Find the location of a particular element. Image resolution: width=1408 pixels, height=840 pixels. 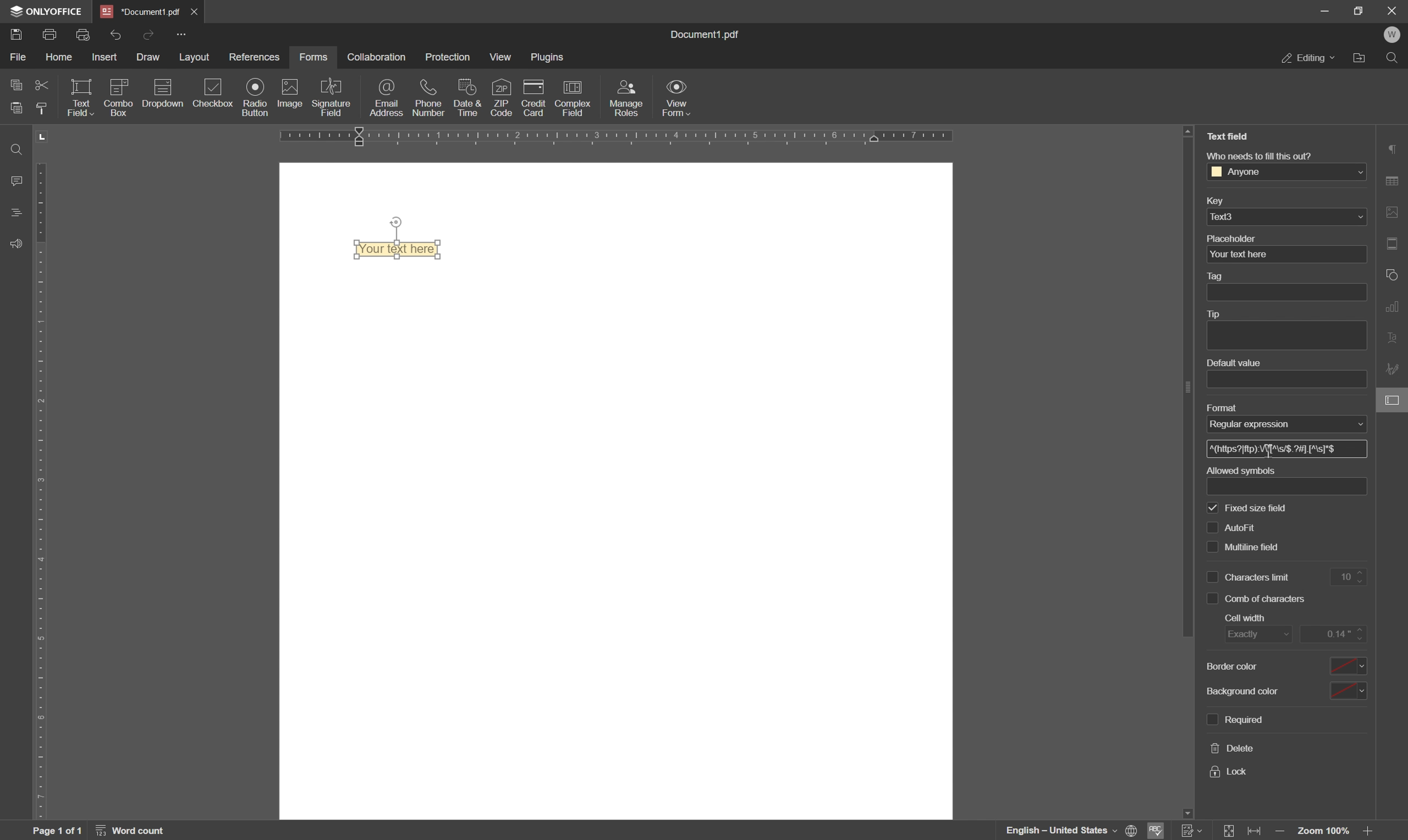

text field is located at coordinates (80, 97).